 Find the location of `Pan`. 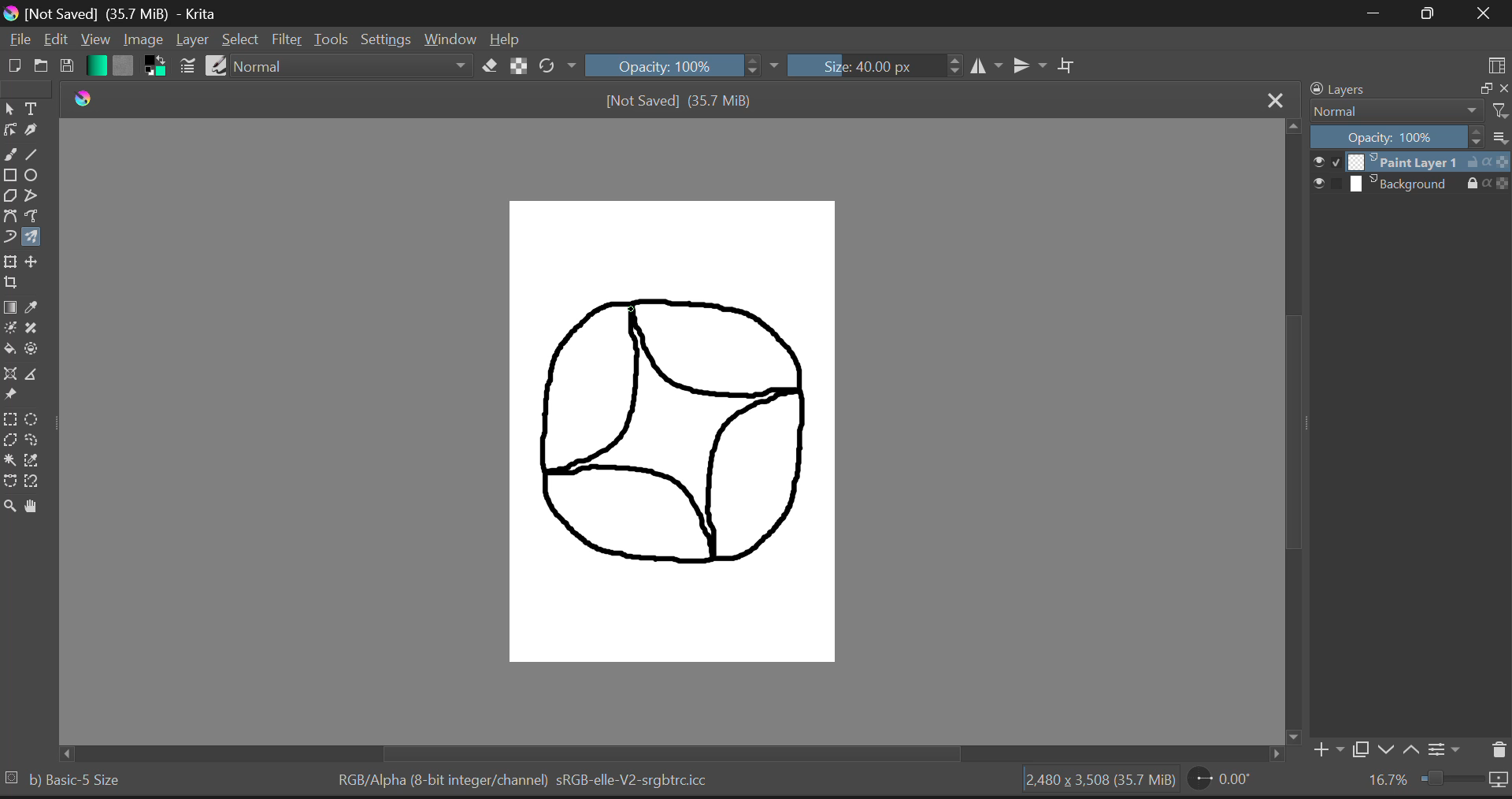

Pan is located at coordinates (35, 507).